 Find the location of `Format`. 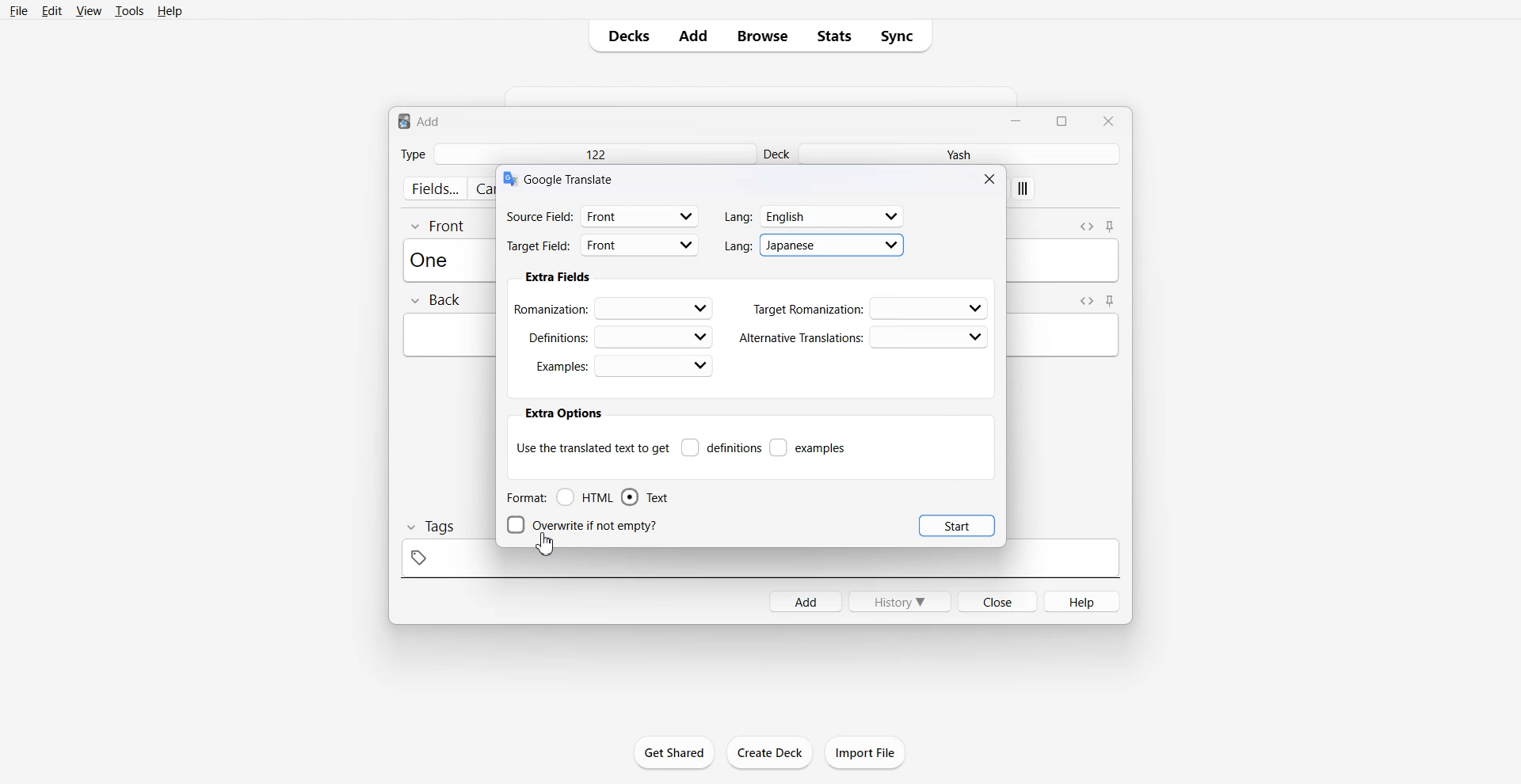

Format is located at coordinates (525, 497).